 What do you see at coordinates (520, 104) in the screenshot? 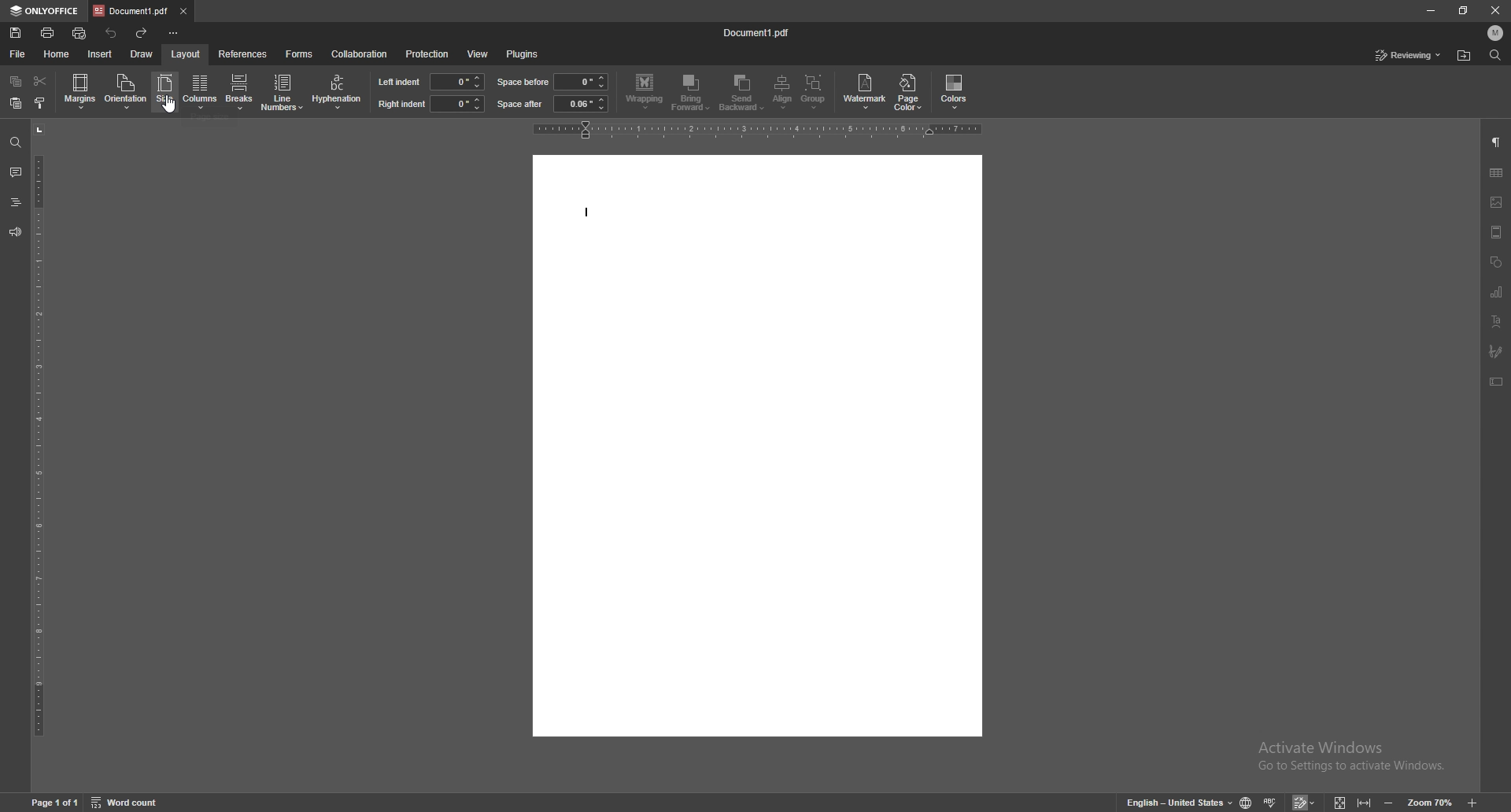
I see `space after` at bounding box center [520, 104].